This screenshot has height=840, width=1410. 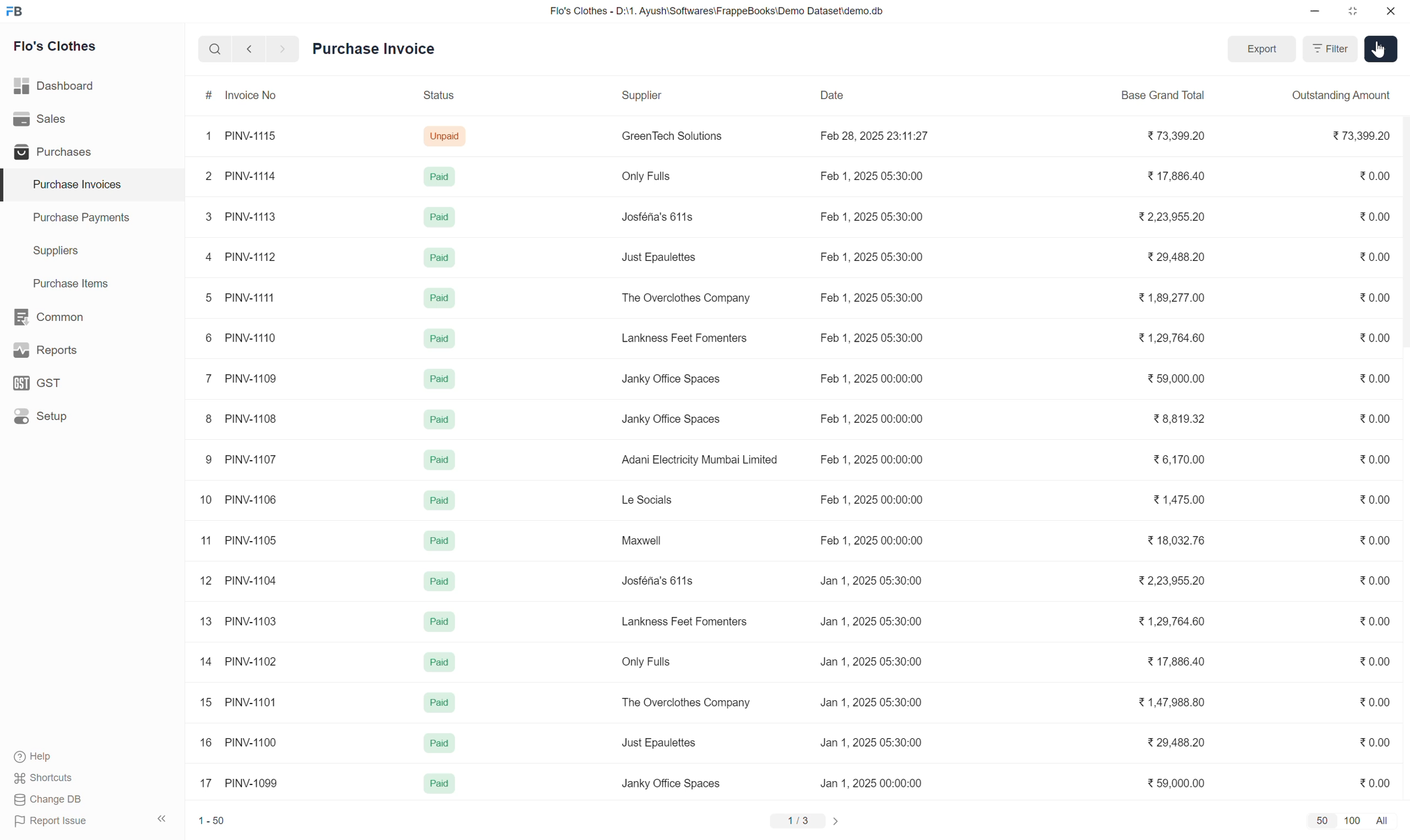 What do you see at coordinates (206, 622) in the screenshot?
I see `13` at bounding box center [206, 622].